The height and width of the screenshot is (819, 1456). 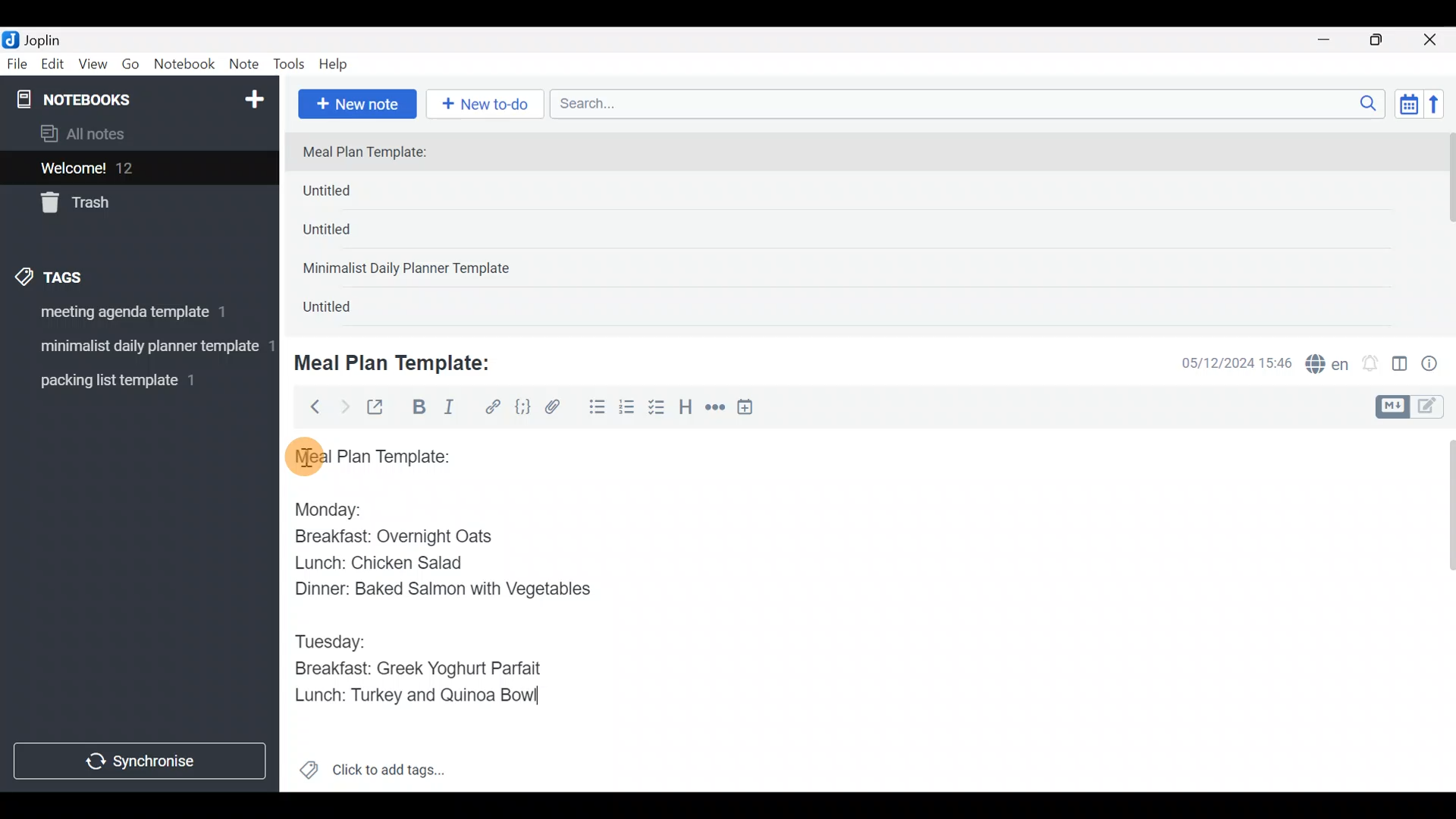 What do you see at coordinates (381, 408) in the screenshot?
I see `Toggle external editing` at bounding box center [381, 408].